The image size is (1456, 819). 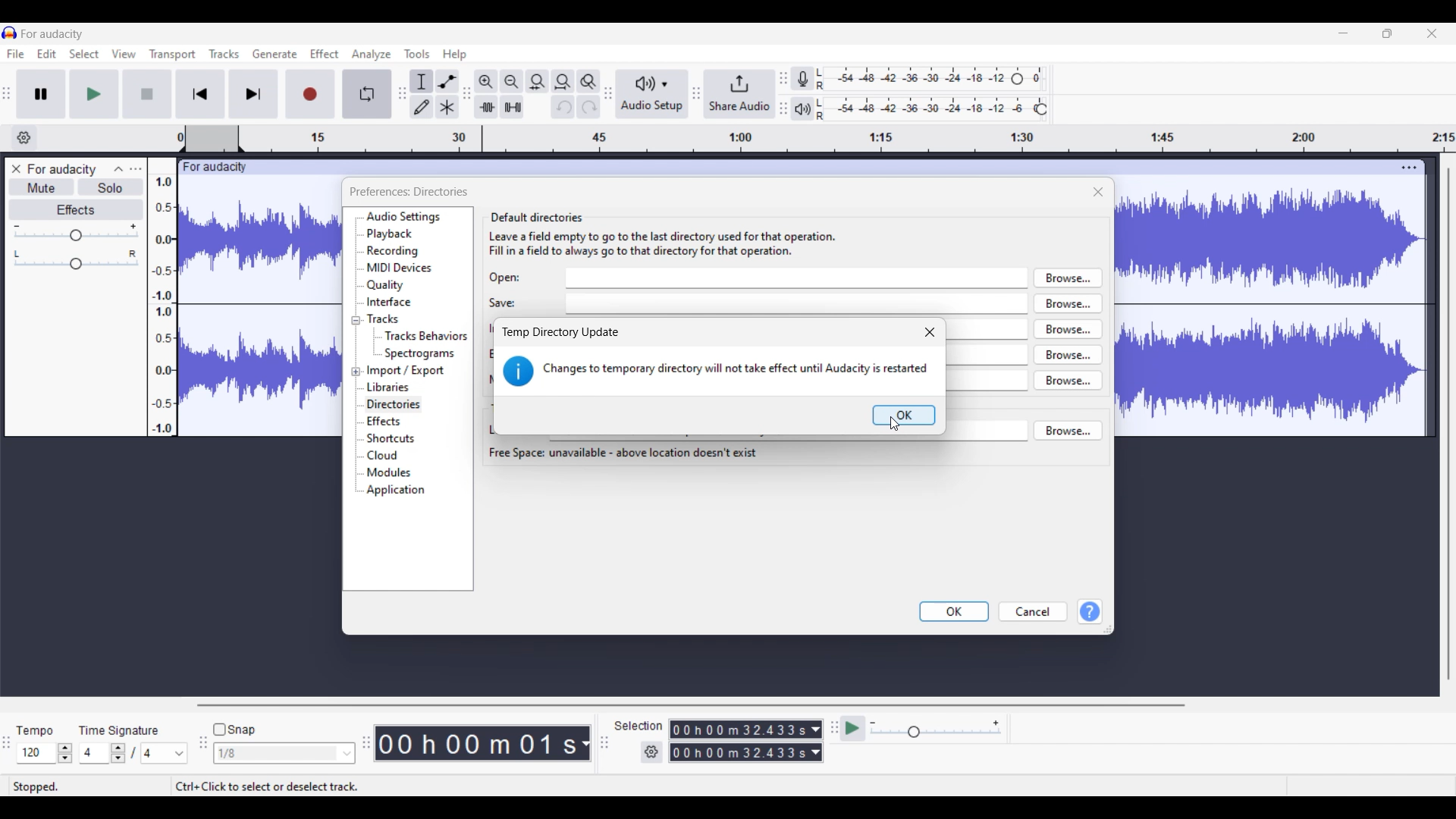 What do you see at coordinates (76, 231) in the screenshot?
I see `Volume scale` at bounding box center [76, 231].